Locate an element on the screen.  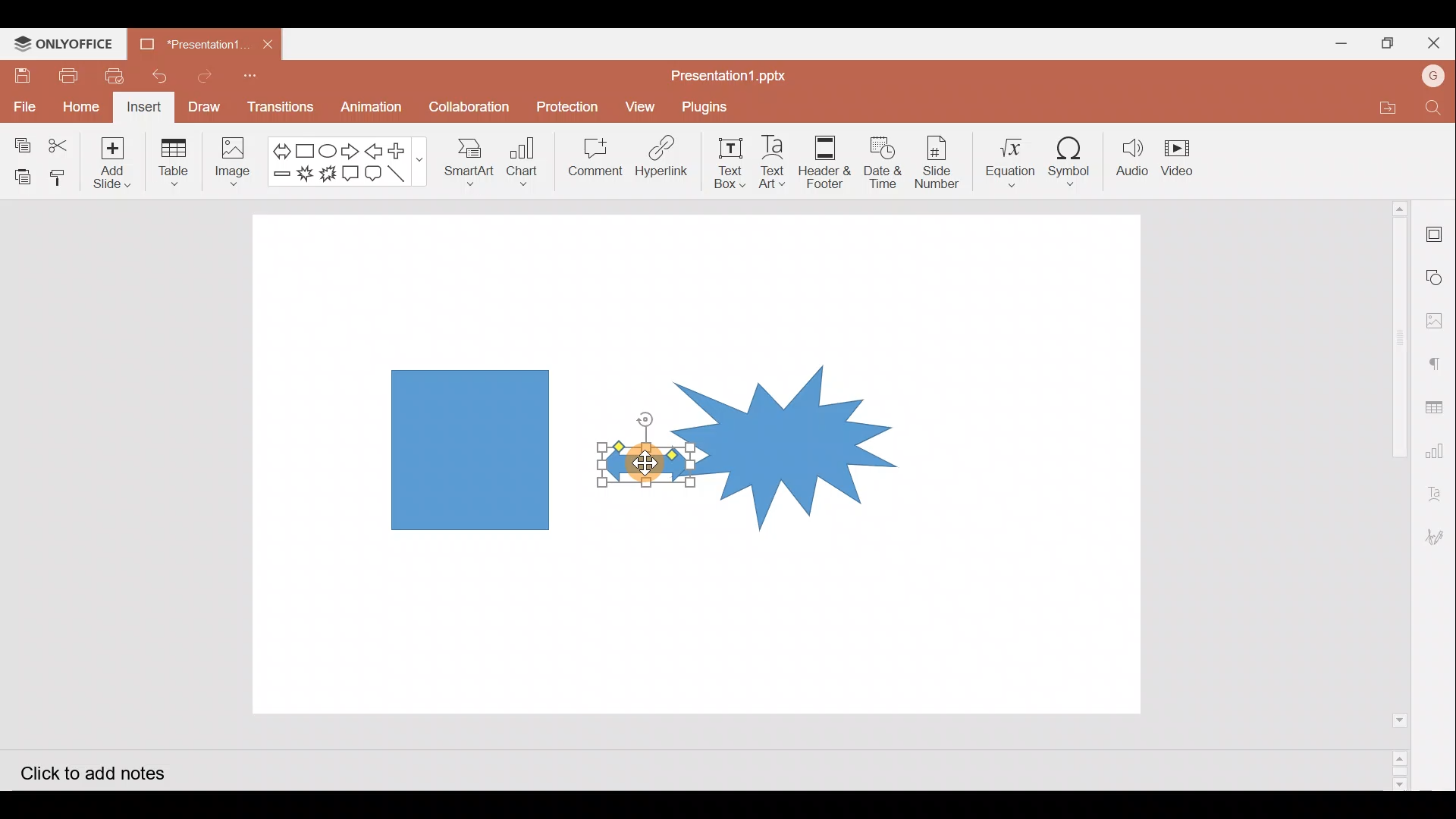
Slide number is located at coordinates (938, 160).